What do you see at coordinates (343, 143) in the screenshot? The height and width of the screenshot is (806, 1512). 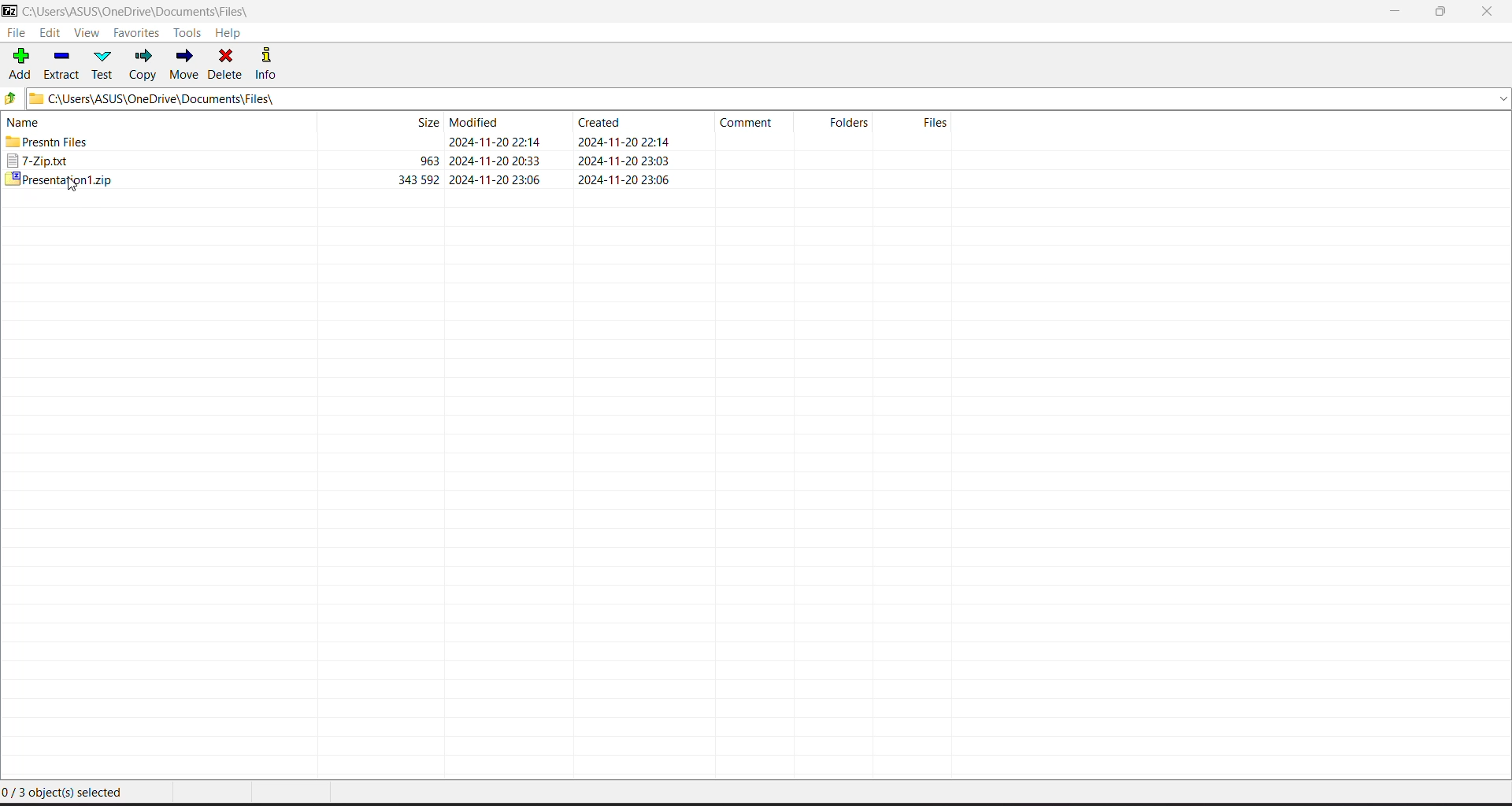 I see `Present files` at bounding box center [343, 143].